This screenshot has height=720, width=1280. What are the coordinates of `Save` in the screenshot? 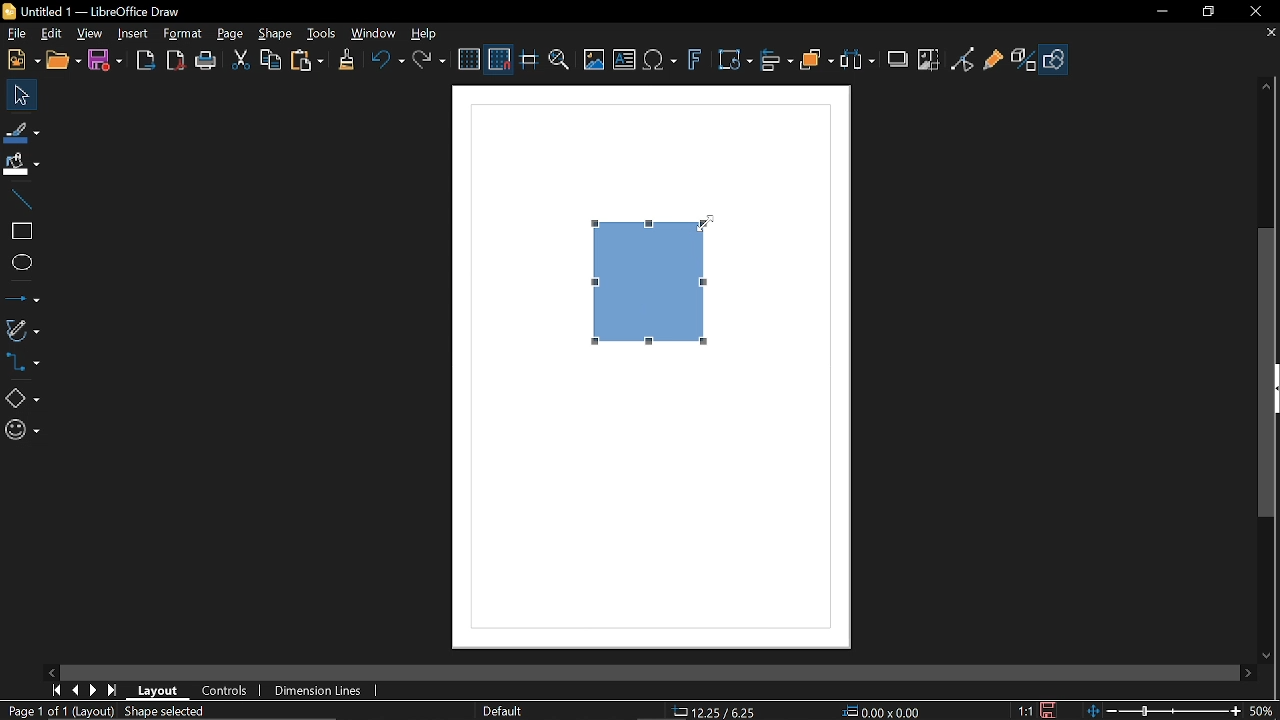 It's located at (108, 59).